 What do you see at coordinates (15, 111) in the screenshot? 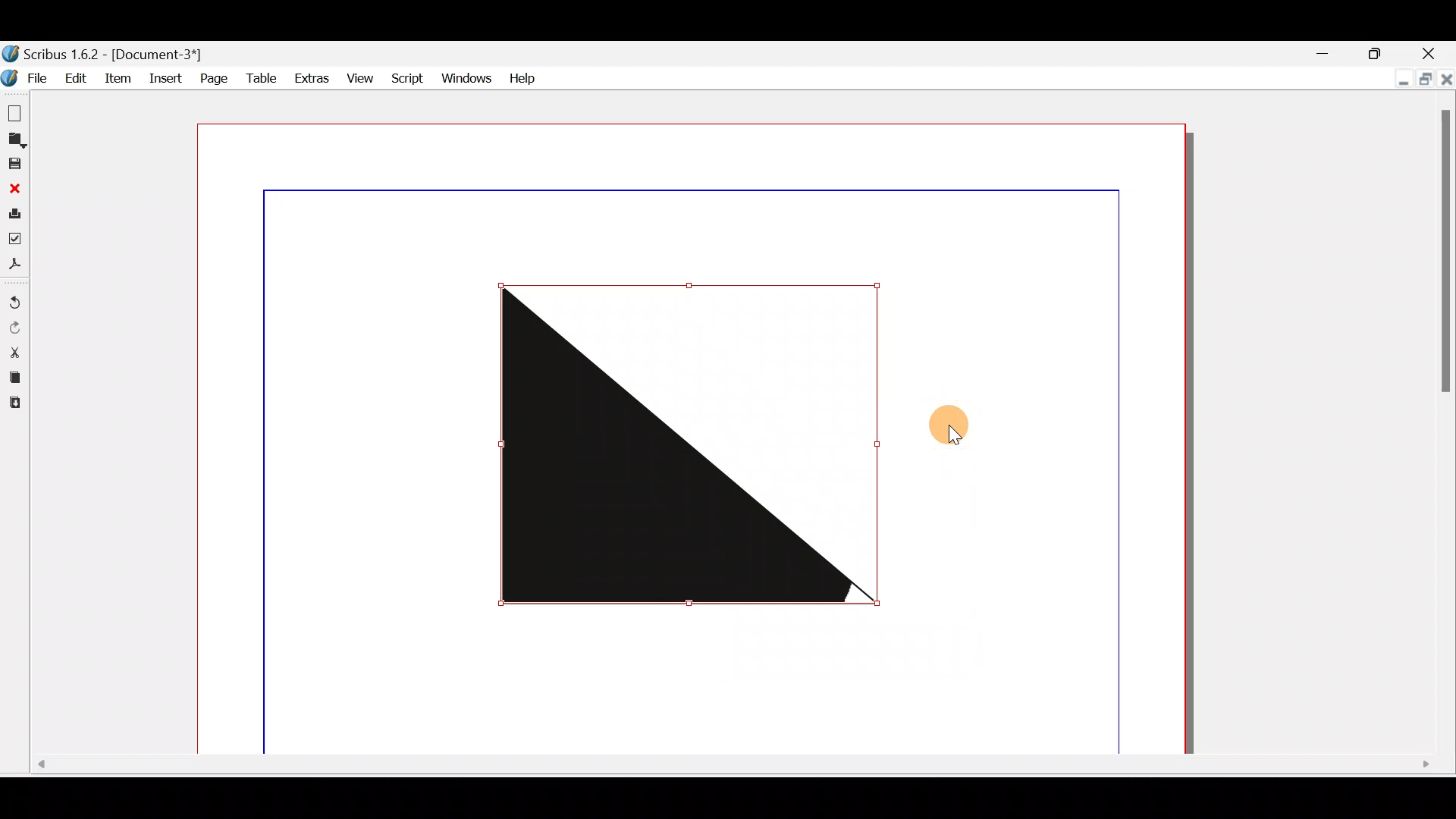
I see `New` at bounding box center [15, 111].